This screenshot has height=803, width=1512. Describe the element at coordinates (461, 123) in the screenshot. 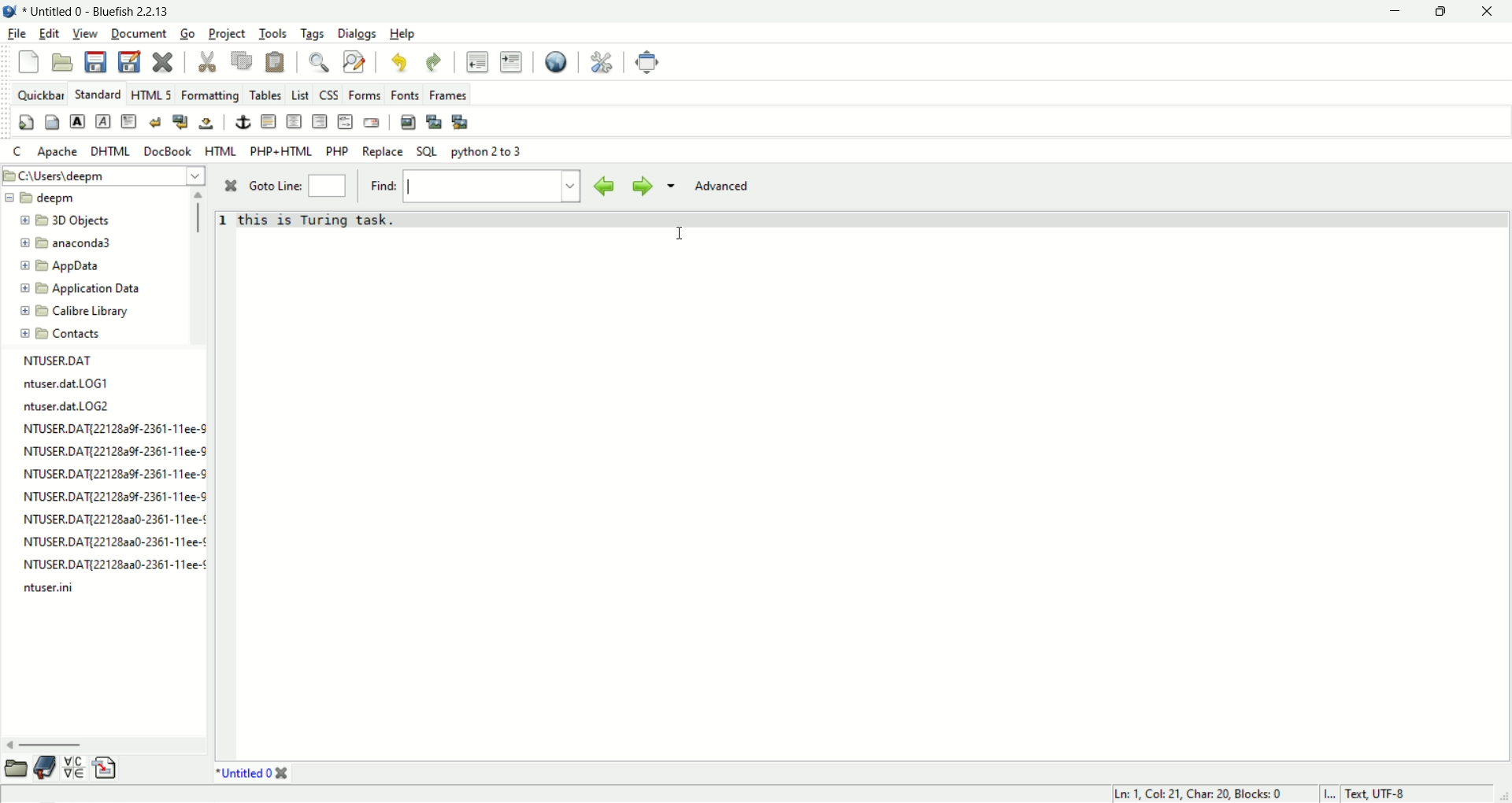

I see `multi thumbnail` at that location.